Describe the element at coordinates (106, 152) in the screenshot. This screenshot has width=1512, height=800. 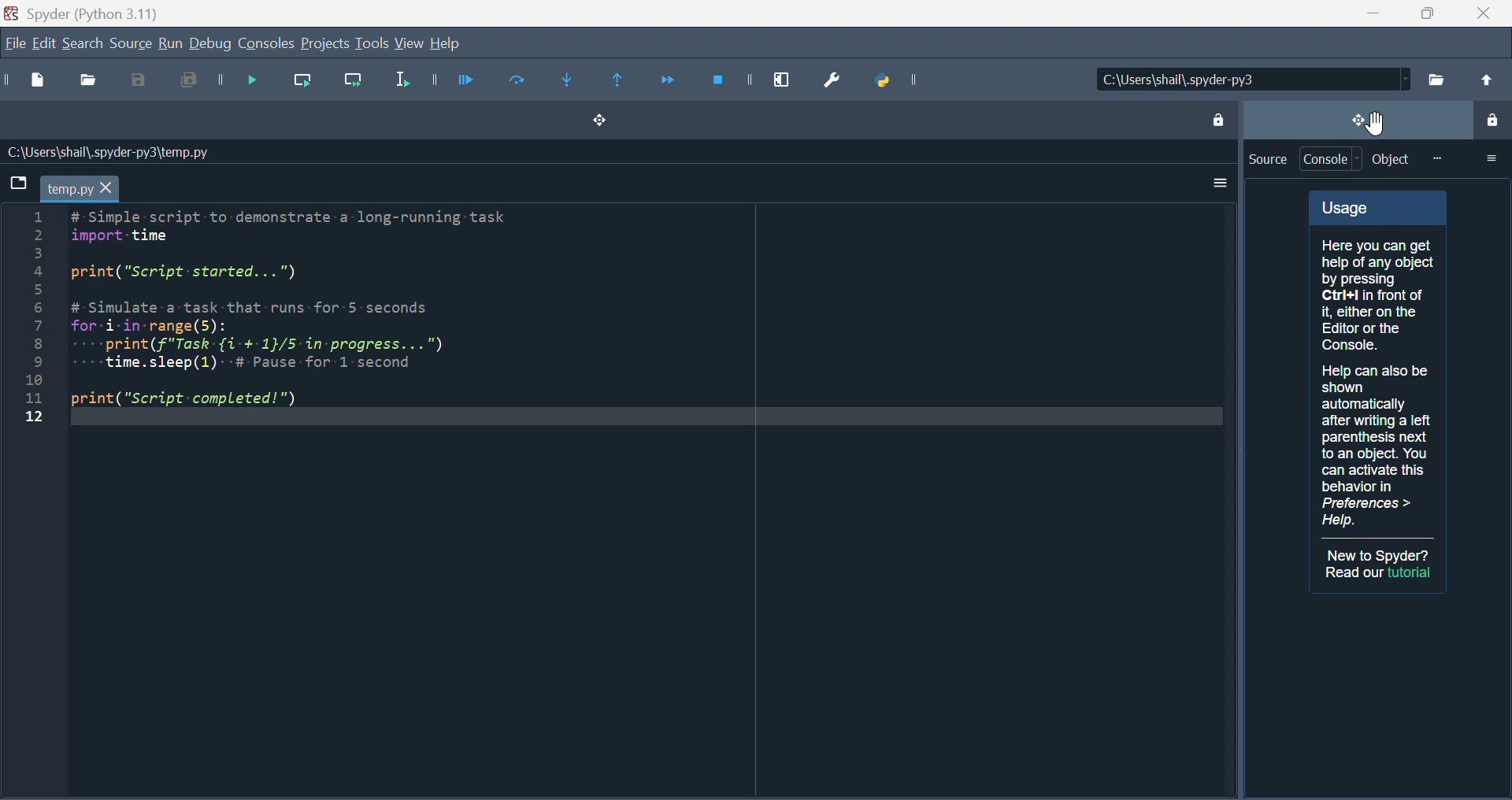
I see `C:\Users\shail\.spyder-py3\temp.py` at that location.